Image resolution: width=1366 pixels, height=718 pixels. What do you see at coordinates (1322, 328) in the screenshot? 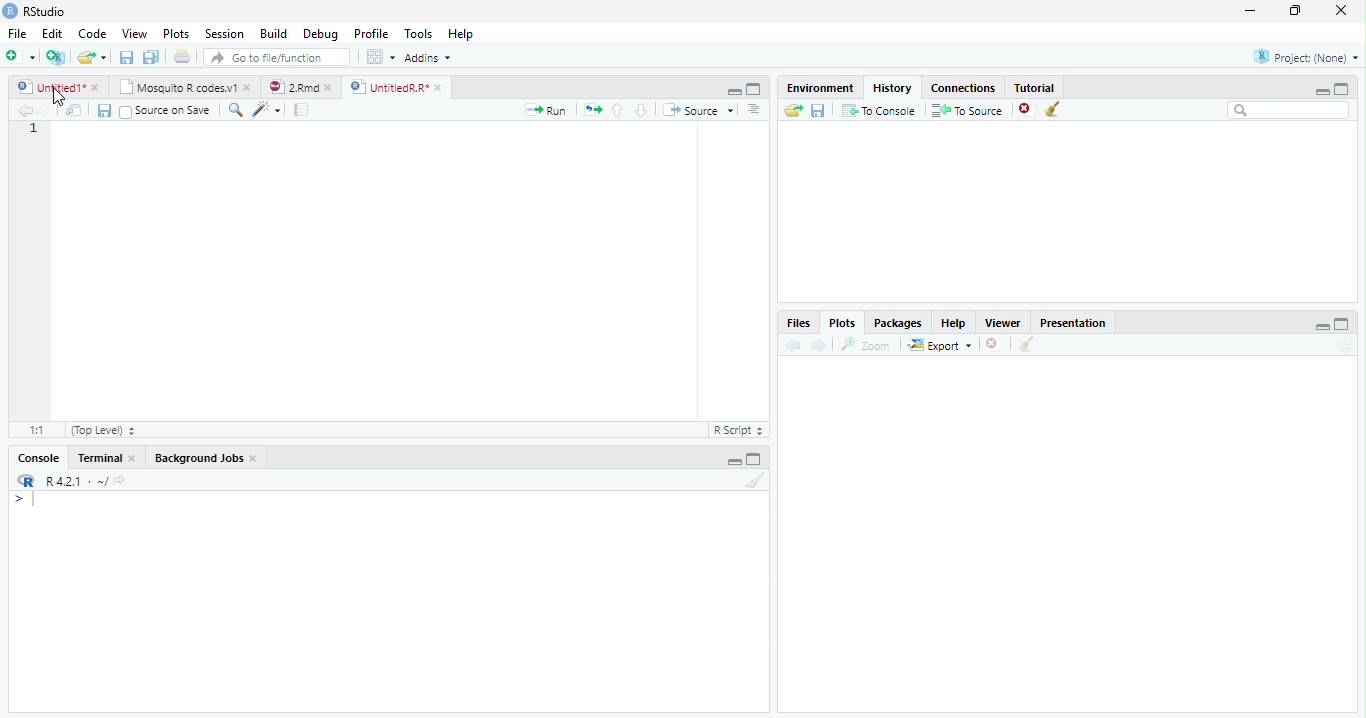
I see `Minimize` at bounding box center [1322, 328].